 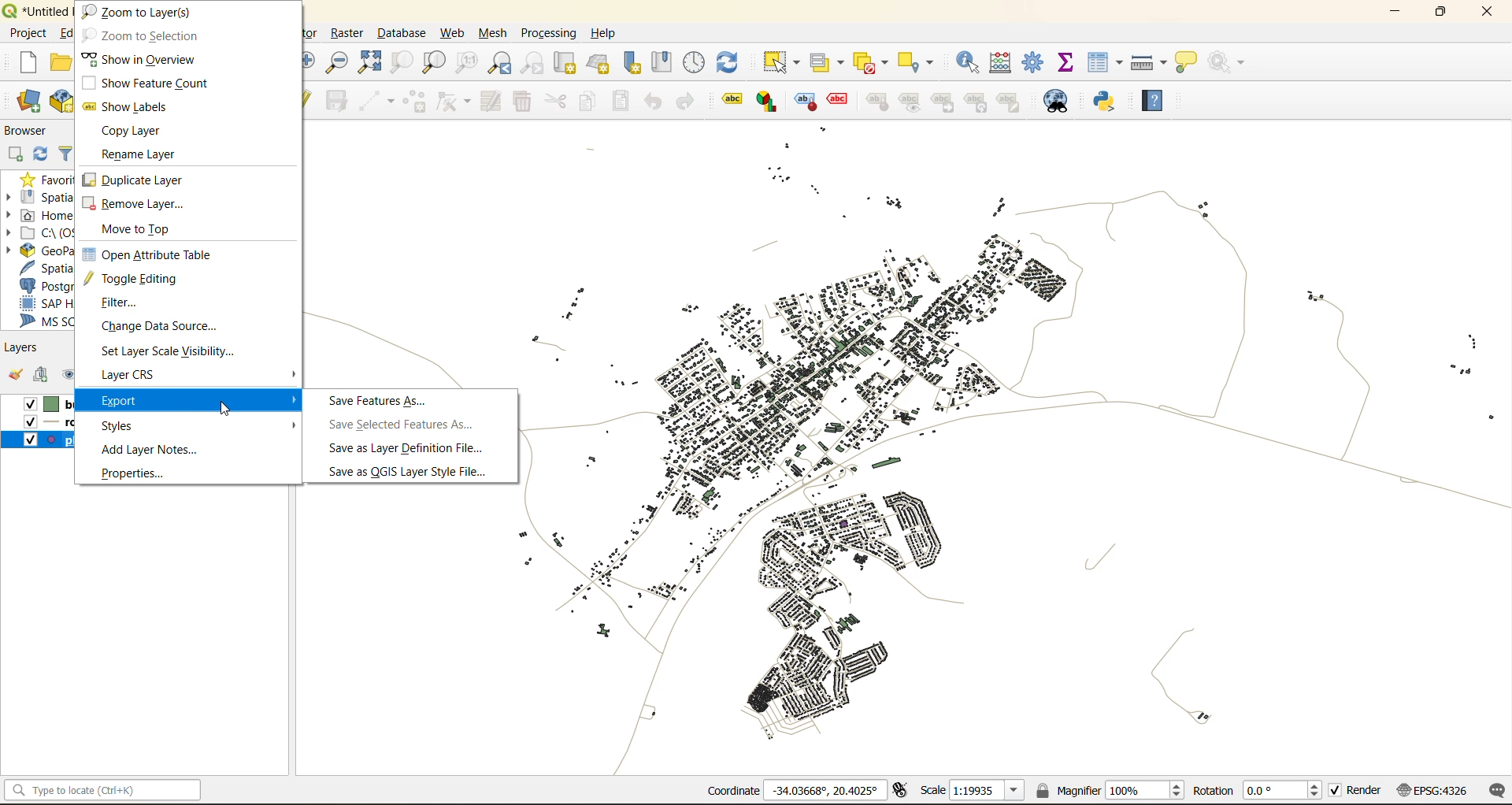 What do you see at coordinates (804, 102) in the screenshot?
I see `highlight pinned labels and diagram` at bounding box center [804, 102].